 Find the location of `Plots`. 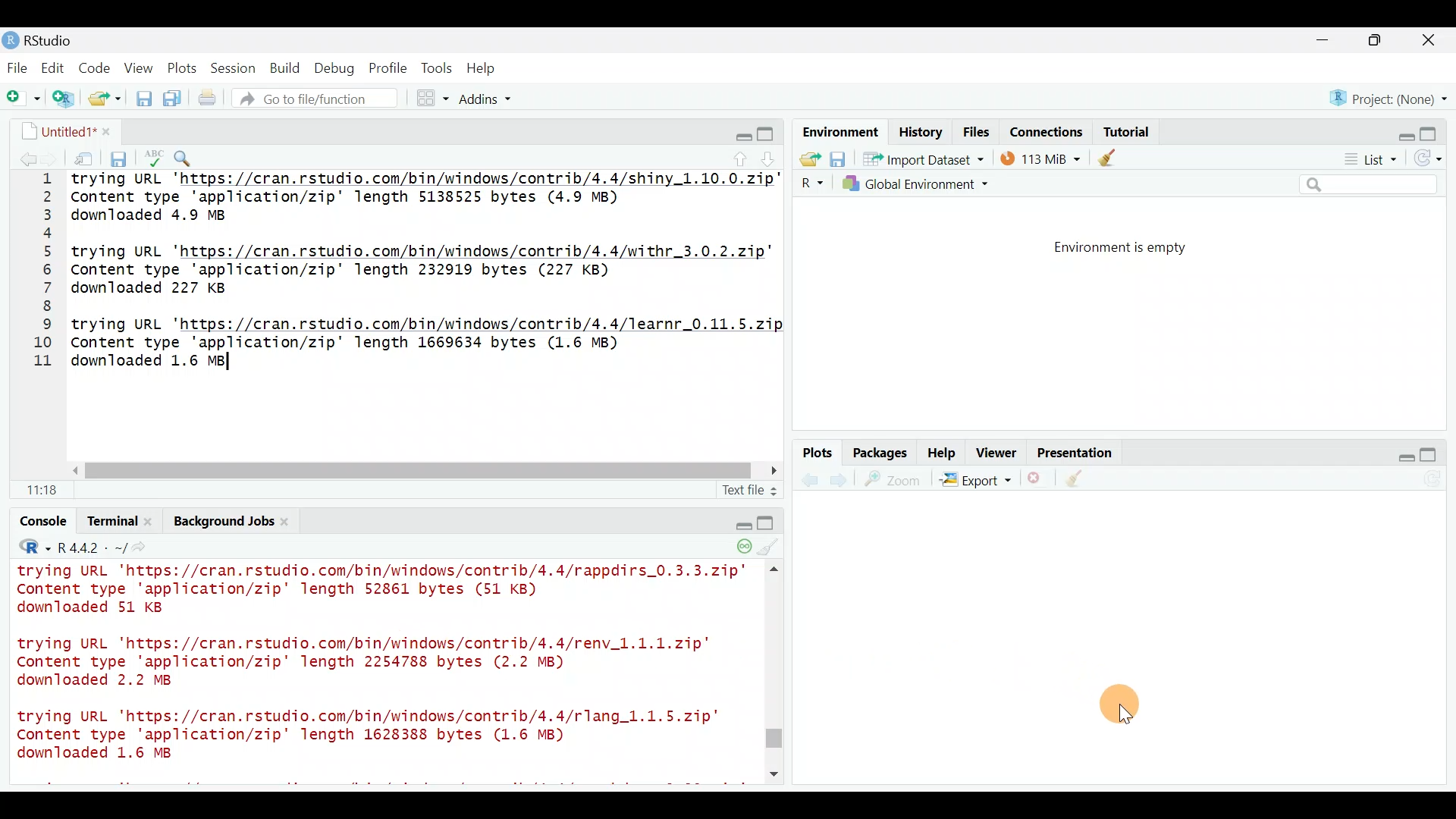

Plots is located at coordinates (818, 453).